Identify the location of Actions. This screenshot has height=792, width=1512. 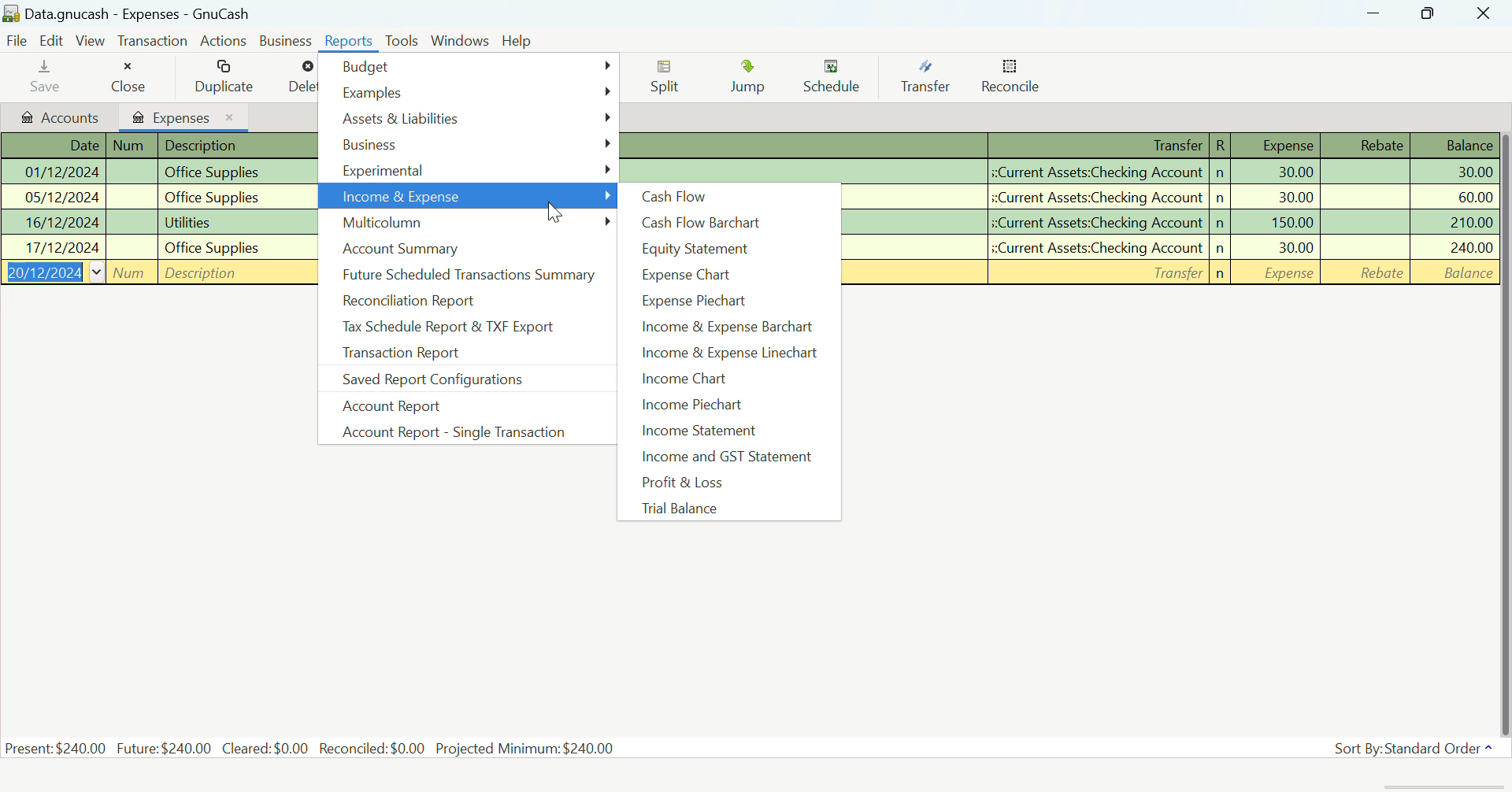
(223, 41).